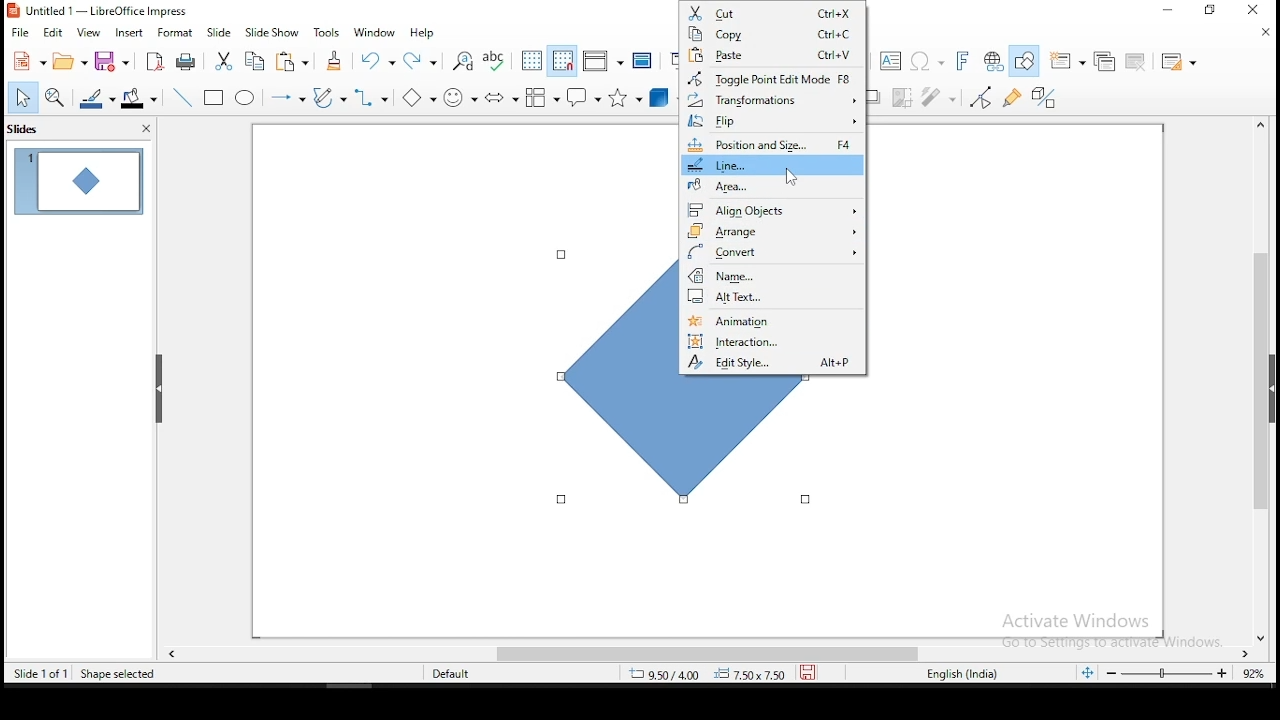 The height and width of the screenshot is (720, 1280). I want to click on close, so click(144, 128).